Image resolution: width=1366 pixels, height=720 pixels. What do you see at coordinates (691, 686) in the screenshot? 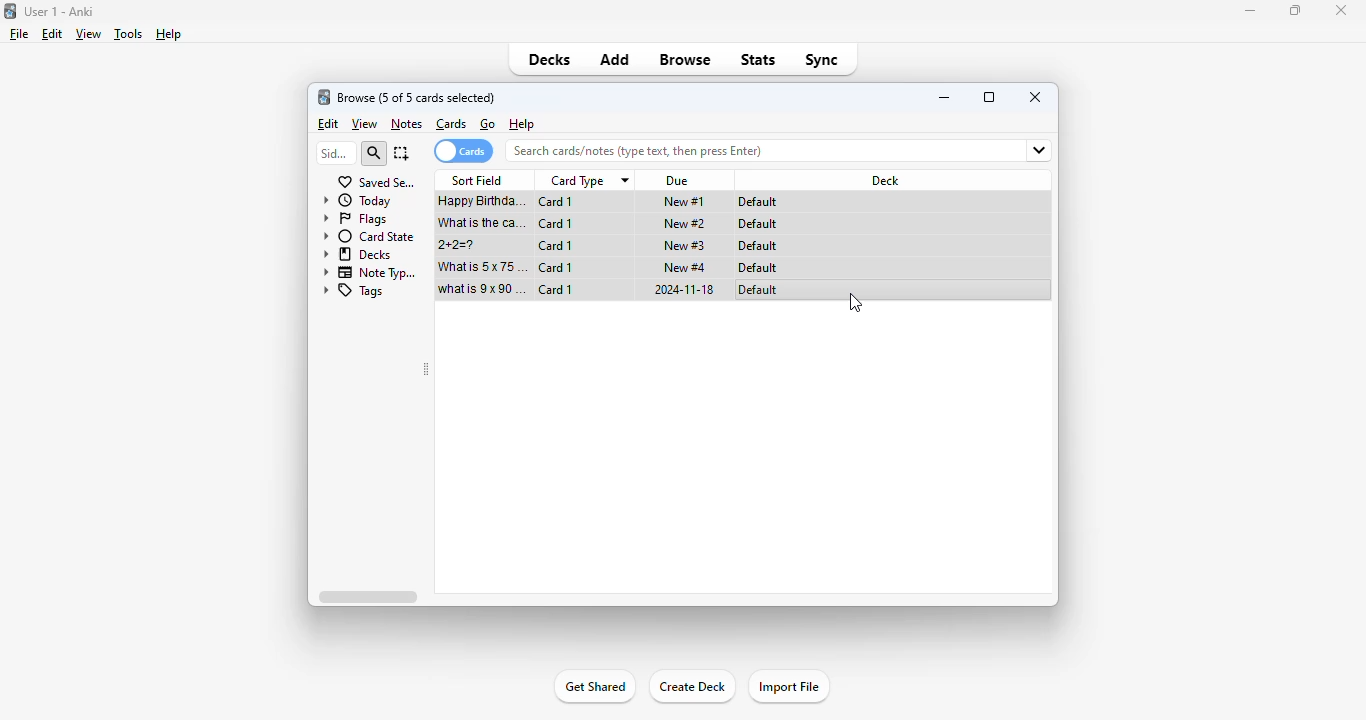
I see `create deck` at bounding box center [691, 686].